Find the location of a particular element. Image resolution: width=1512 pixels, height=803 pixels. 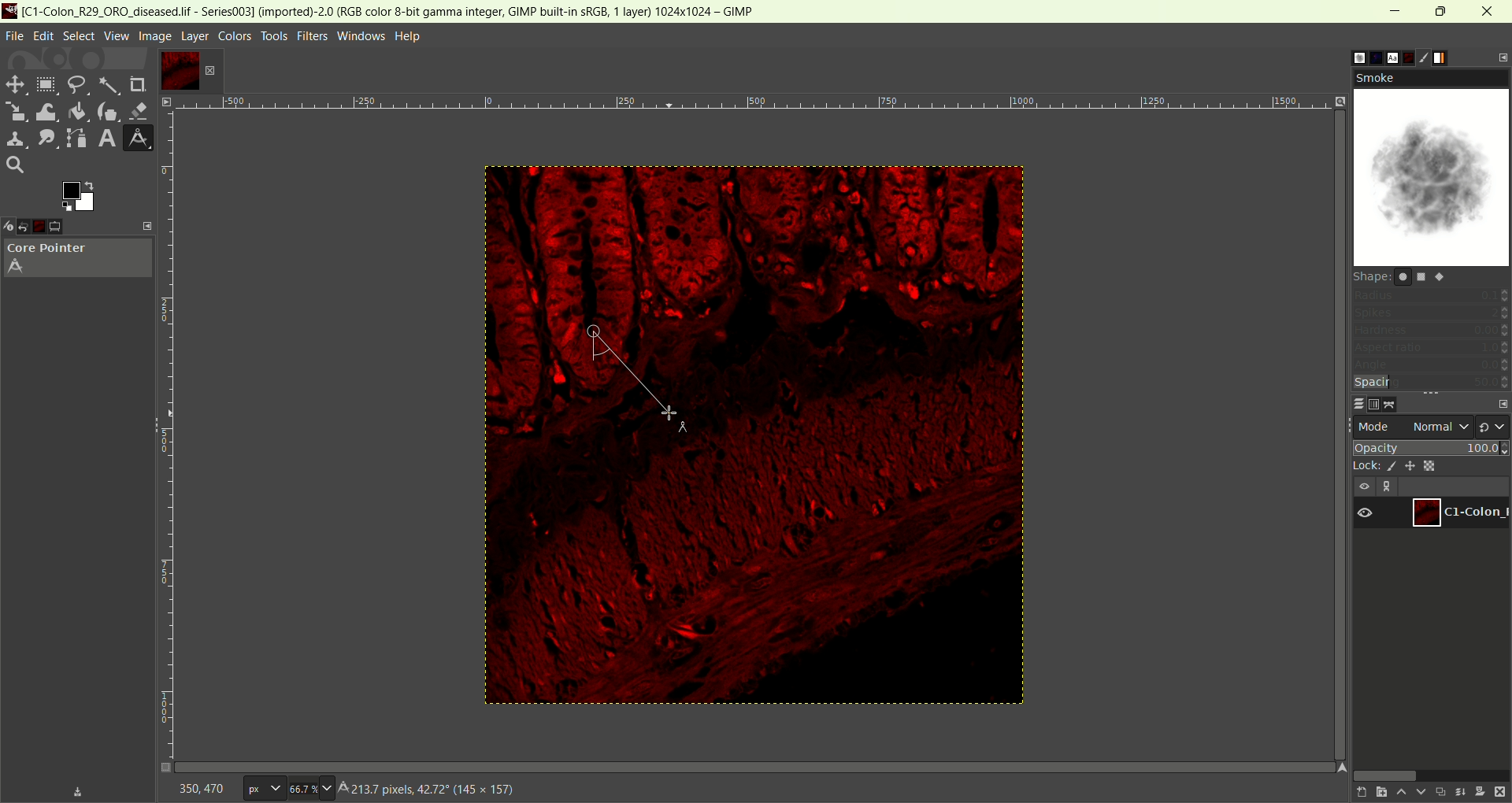

help is located at coordinates (409, 37).